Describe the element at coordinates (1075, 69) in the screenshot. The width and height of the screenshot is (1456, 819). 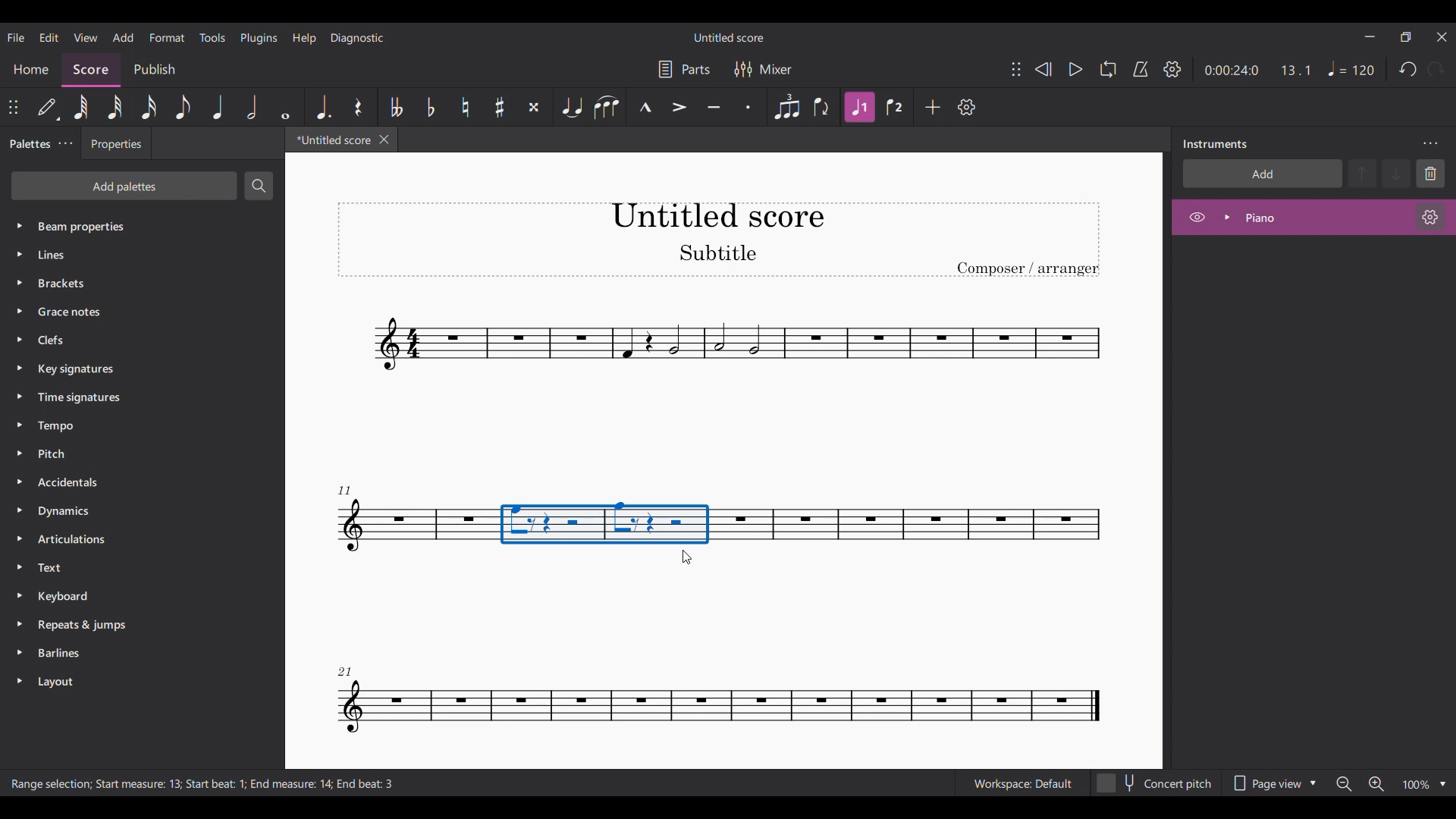
I see `Play` at that location.